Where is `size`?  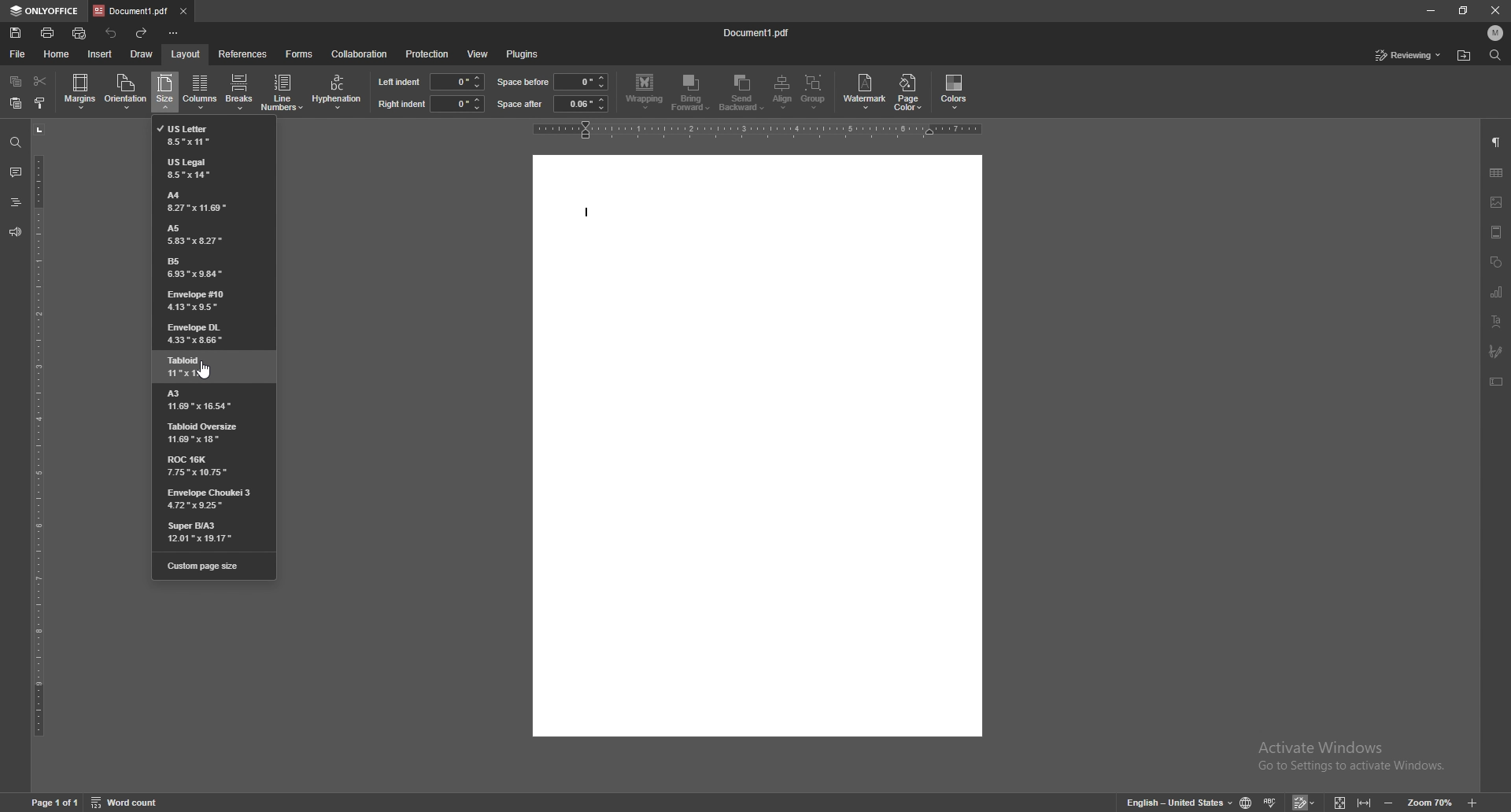 size is located at coordinates (165, 93).